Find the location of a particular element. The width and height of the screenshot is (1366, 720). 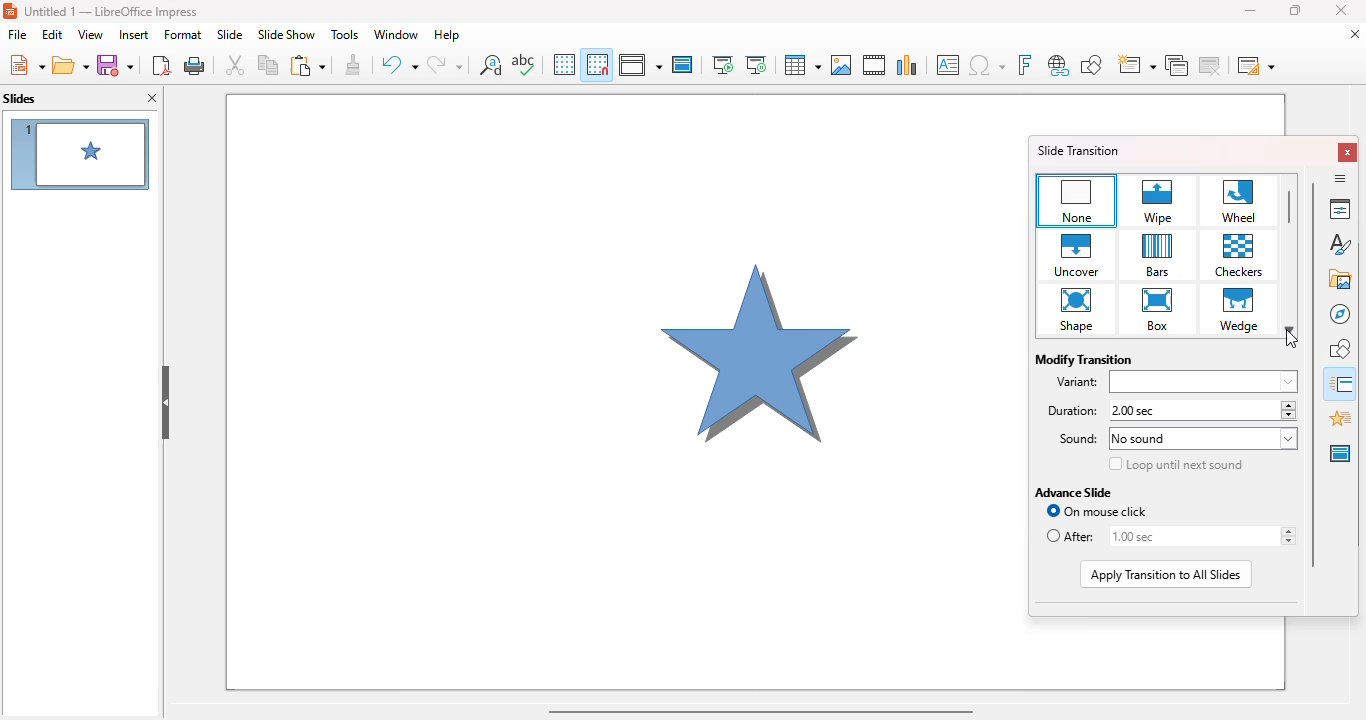

duplicate slide is located at coordinates (1177, 66).